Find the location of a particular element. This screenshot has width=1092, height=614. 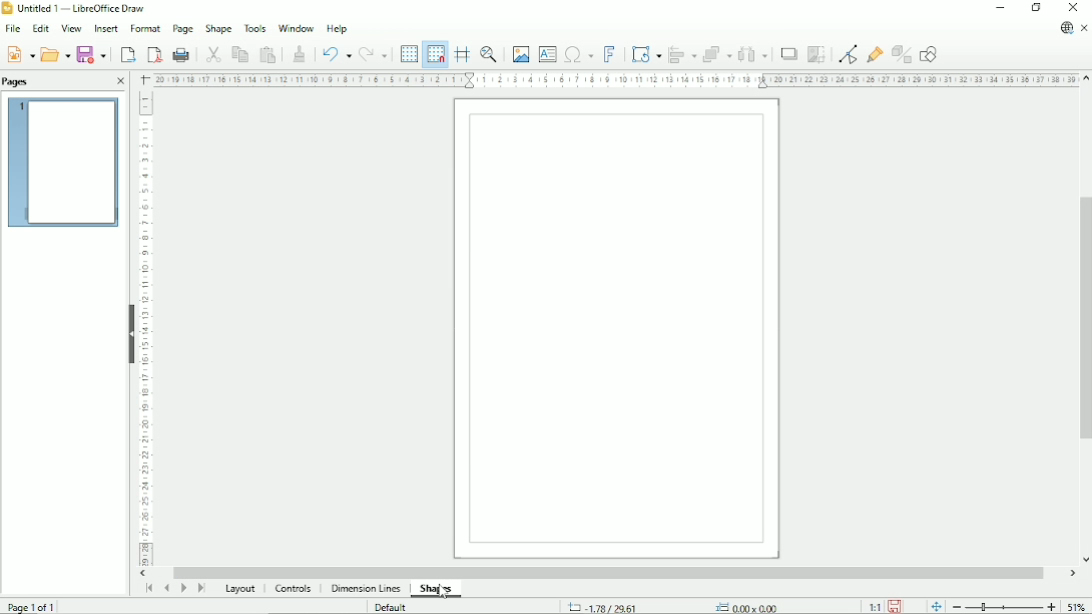

Export is located at coordinates (126, 53).